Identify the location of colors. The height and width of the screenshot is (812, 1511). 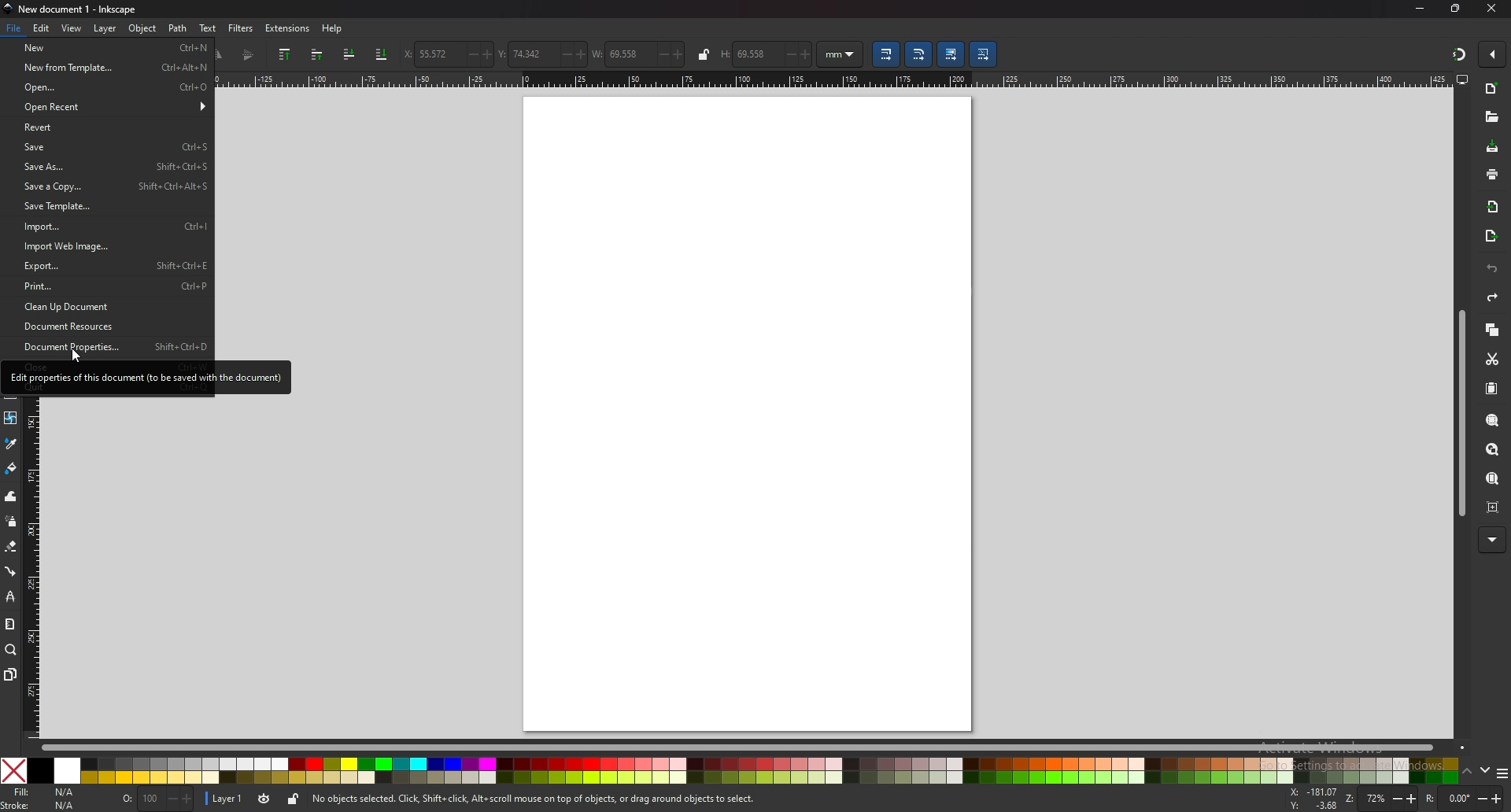
(744, 771).